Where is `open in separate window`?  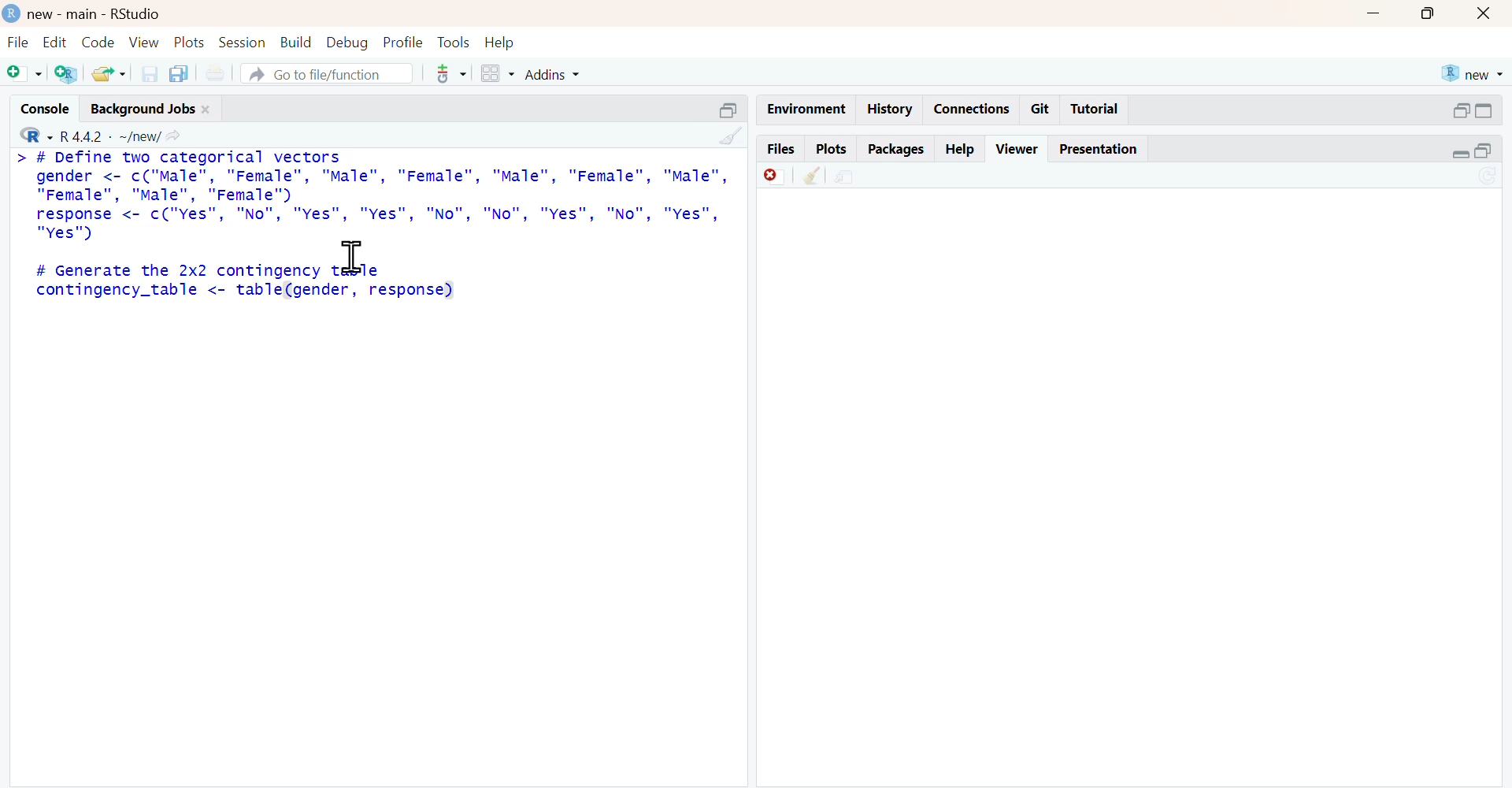
open in separate window is located at coordinates (1484, 151).